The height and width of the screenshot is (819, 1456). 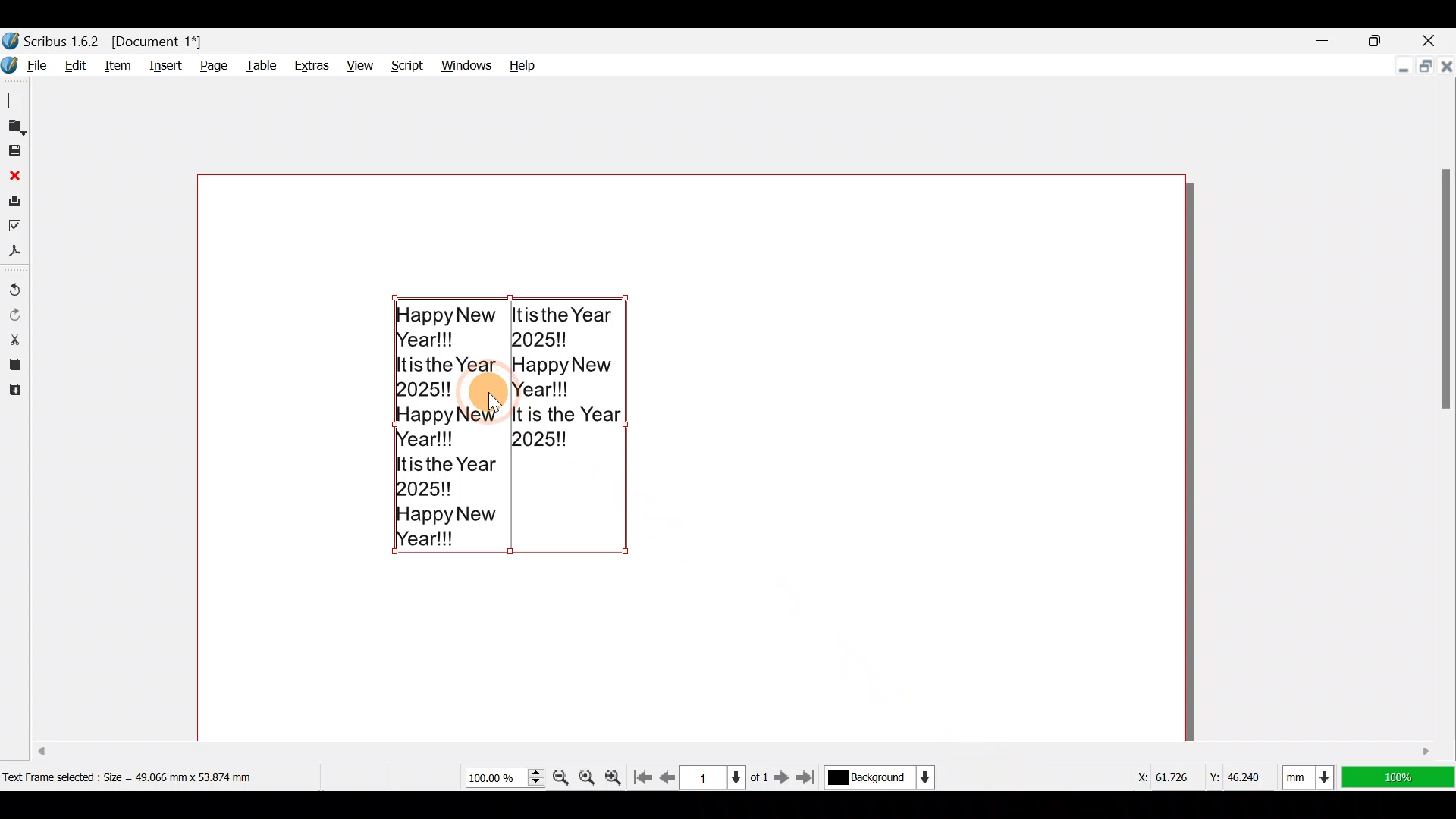 What do you see at coordinates (14, 338) in the screenshot?
I see `Cut` at bounding box center [14, 338].